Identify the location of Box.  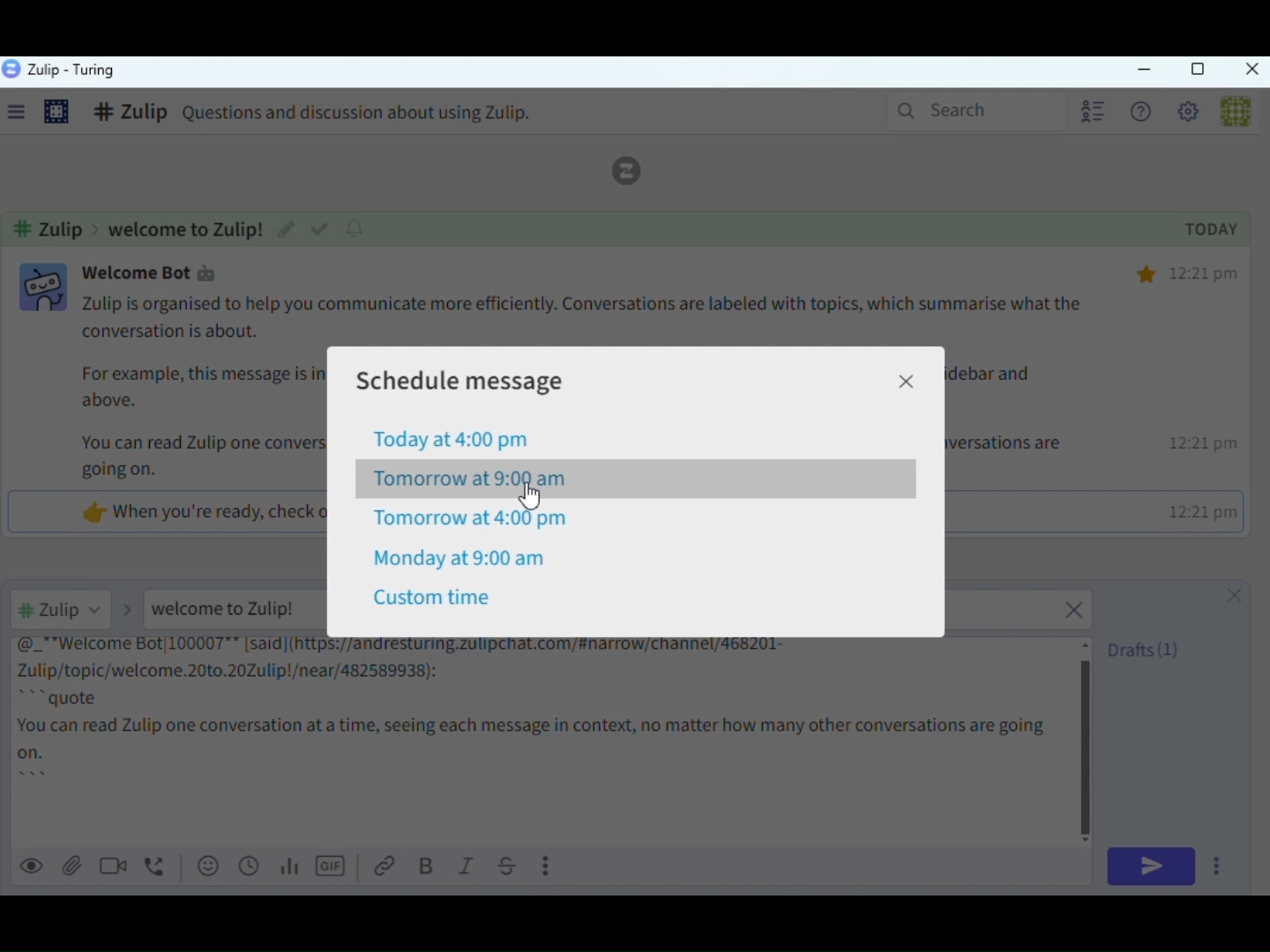
(1197, 70).